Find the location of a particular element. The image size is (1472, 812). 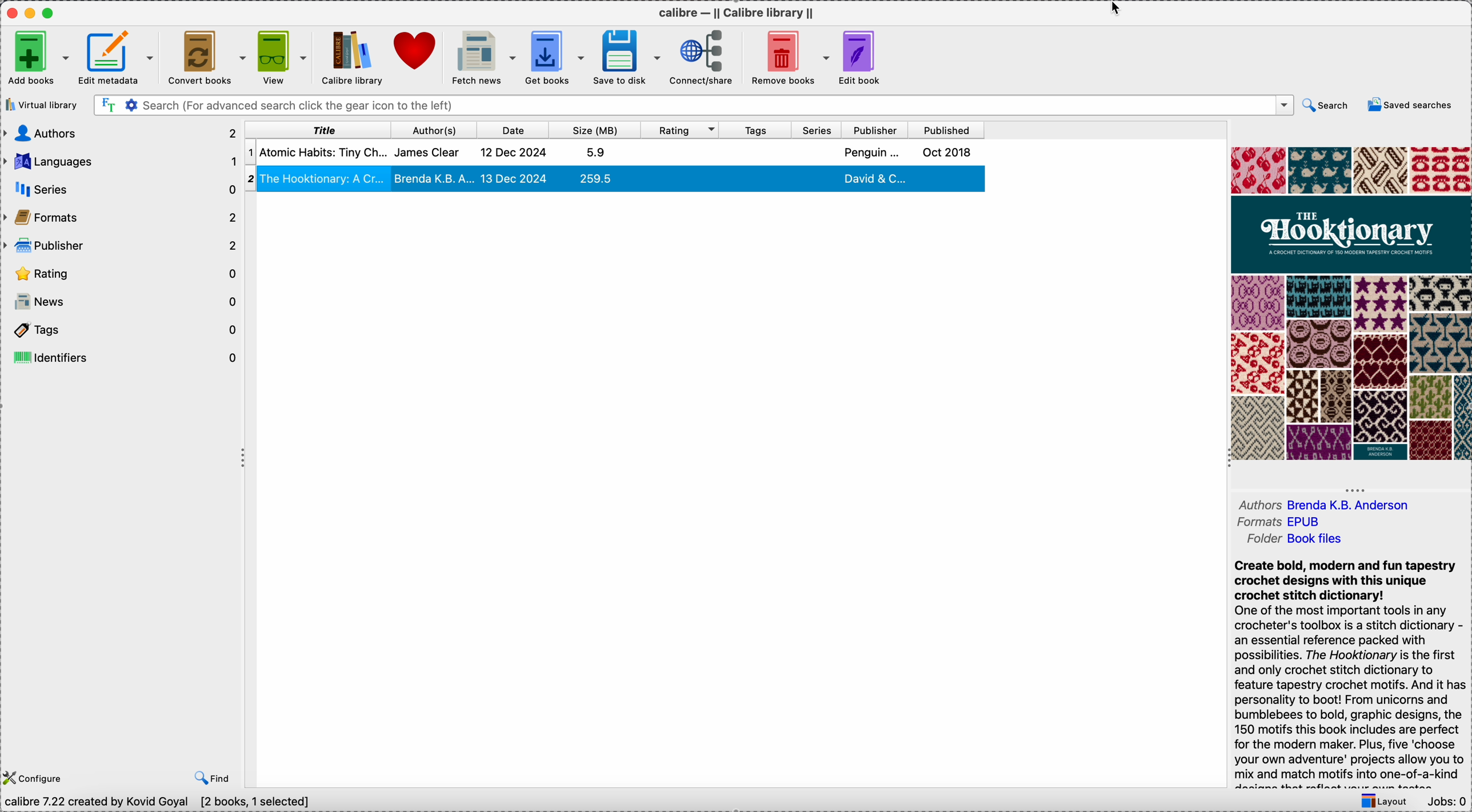

connect/share is located at coordinates (706, 58).